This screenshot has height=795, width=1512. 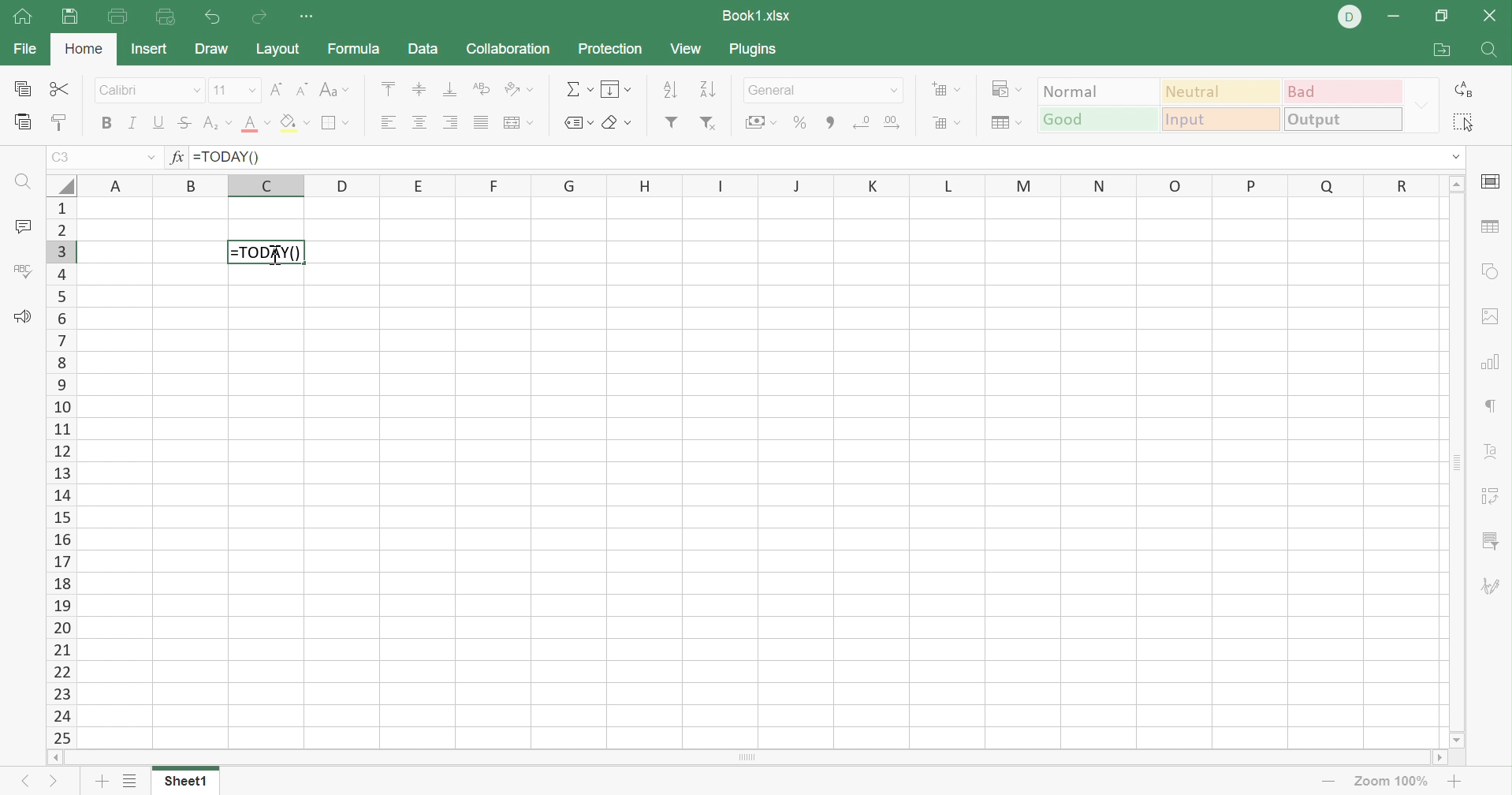 What do you see at coordinates (582, 88) in the screenshot?
I see `Summation` at bounding box center [582, 88].